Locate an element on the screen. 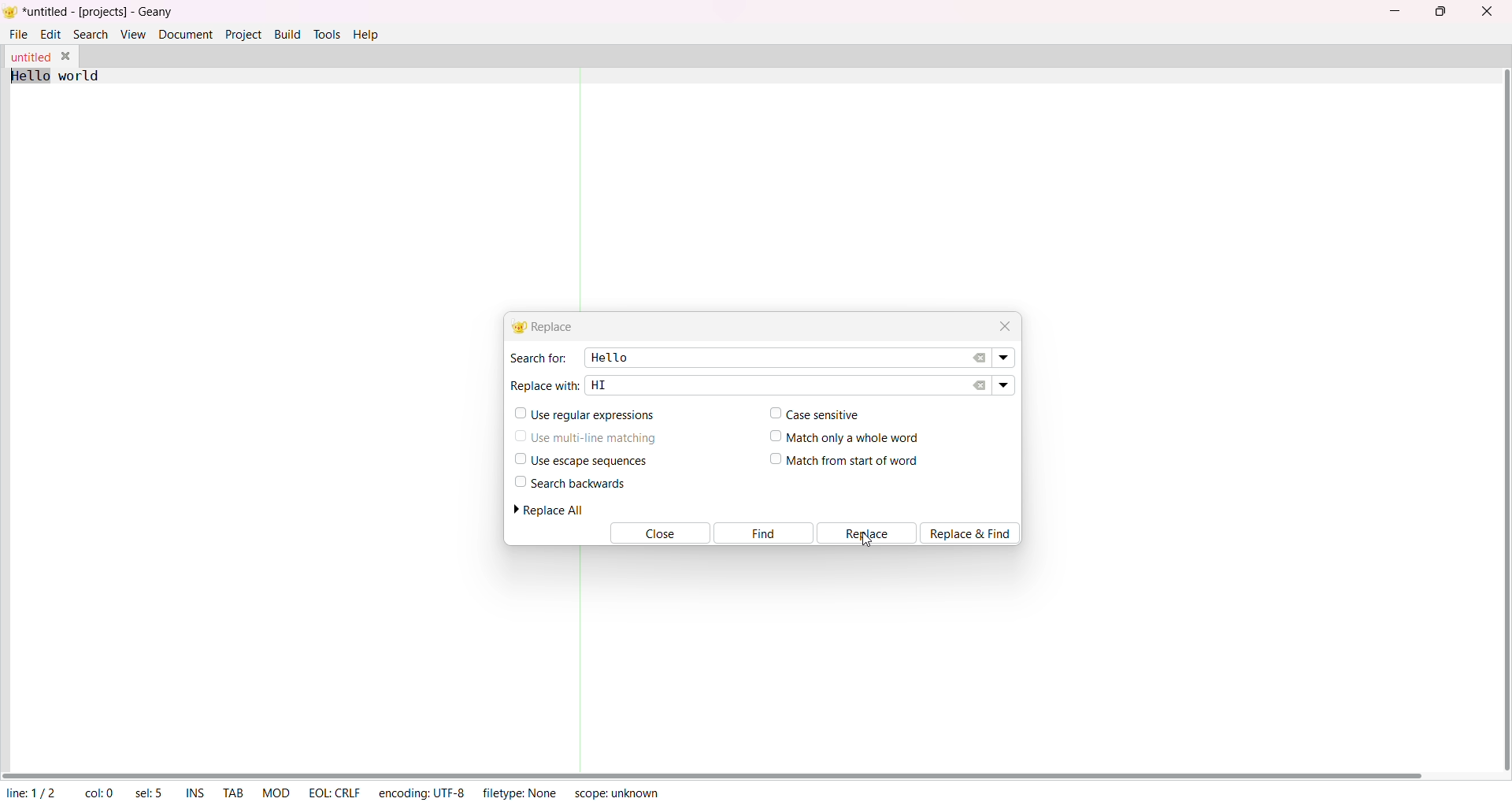 Image resolution: width=1512 pixels, height=802 pixels. replace is located at coordinates (547, 327).